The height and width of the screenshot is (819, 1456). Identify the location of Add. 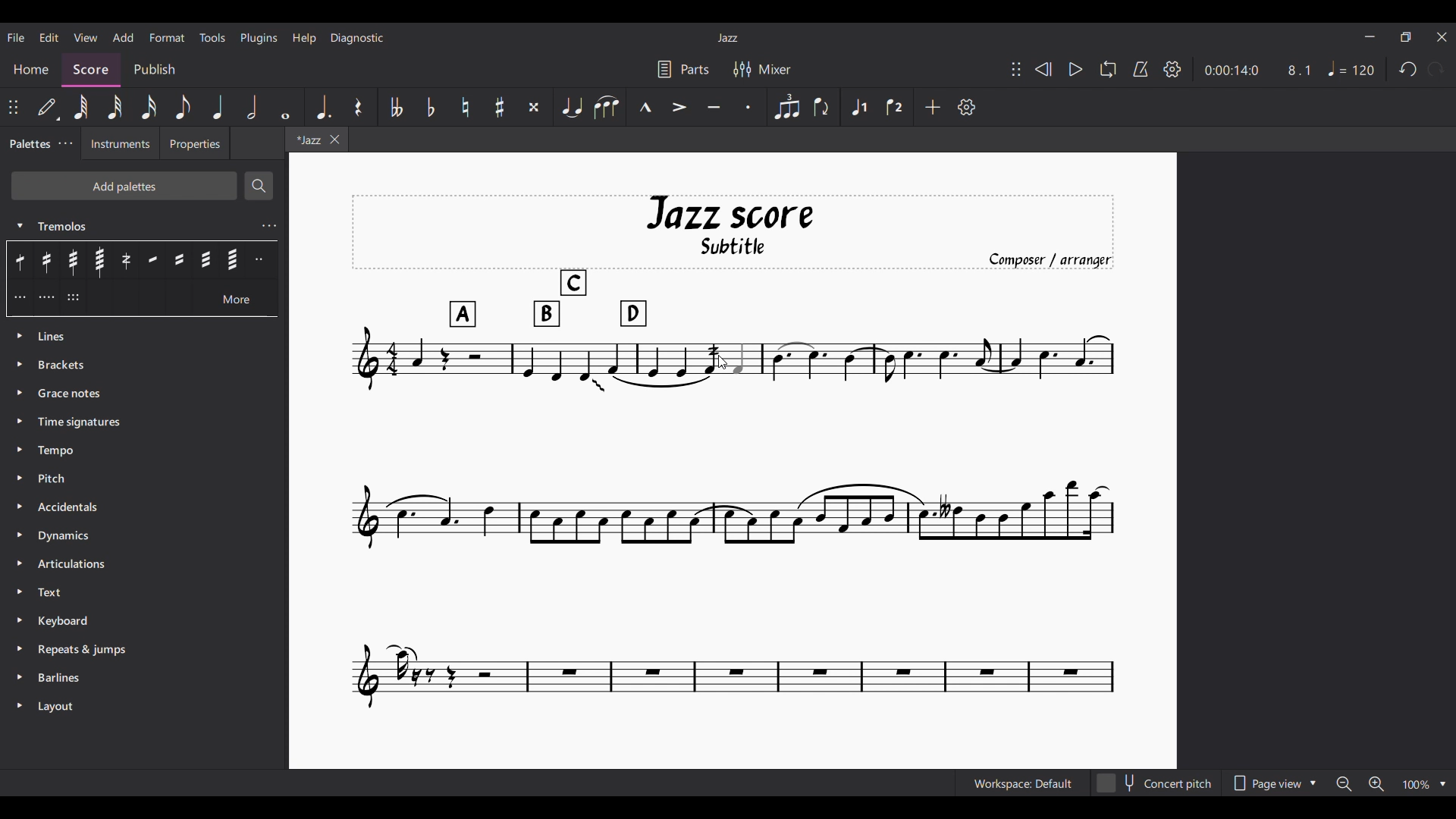
(124, 37).